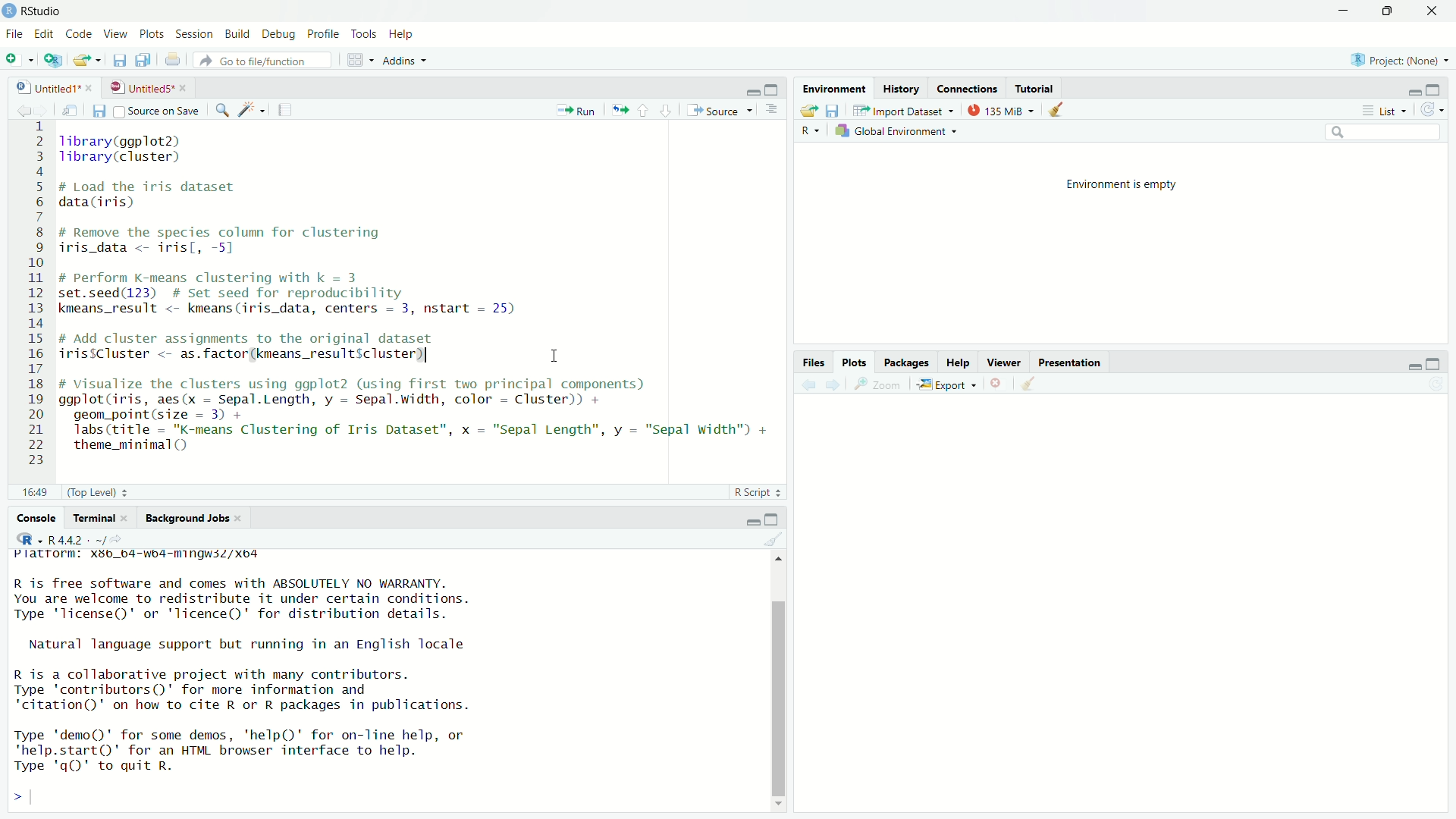  I want to click on hide document outline, so click(773, 110).